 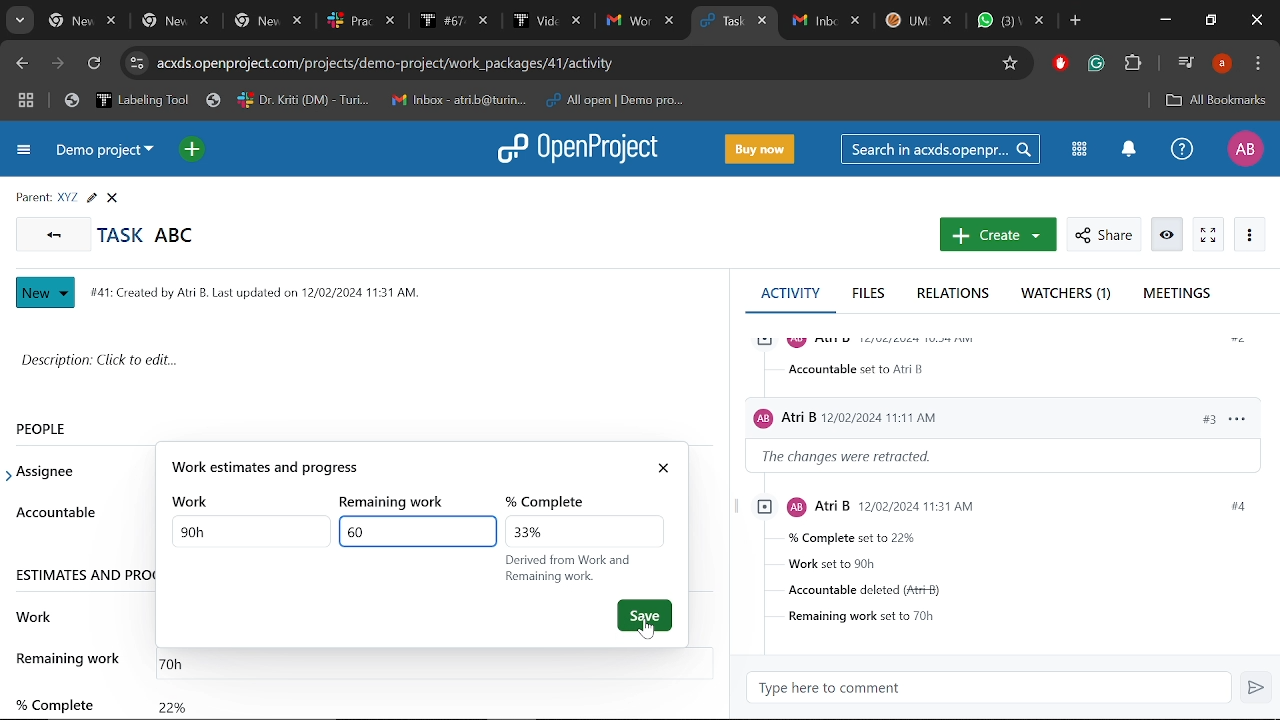 I want to click on CIte address, so click(x=571, y=62).